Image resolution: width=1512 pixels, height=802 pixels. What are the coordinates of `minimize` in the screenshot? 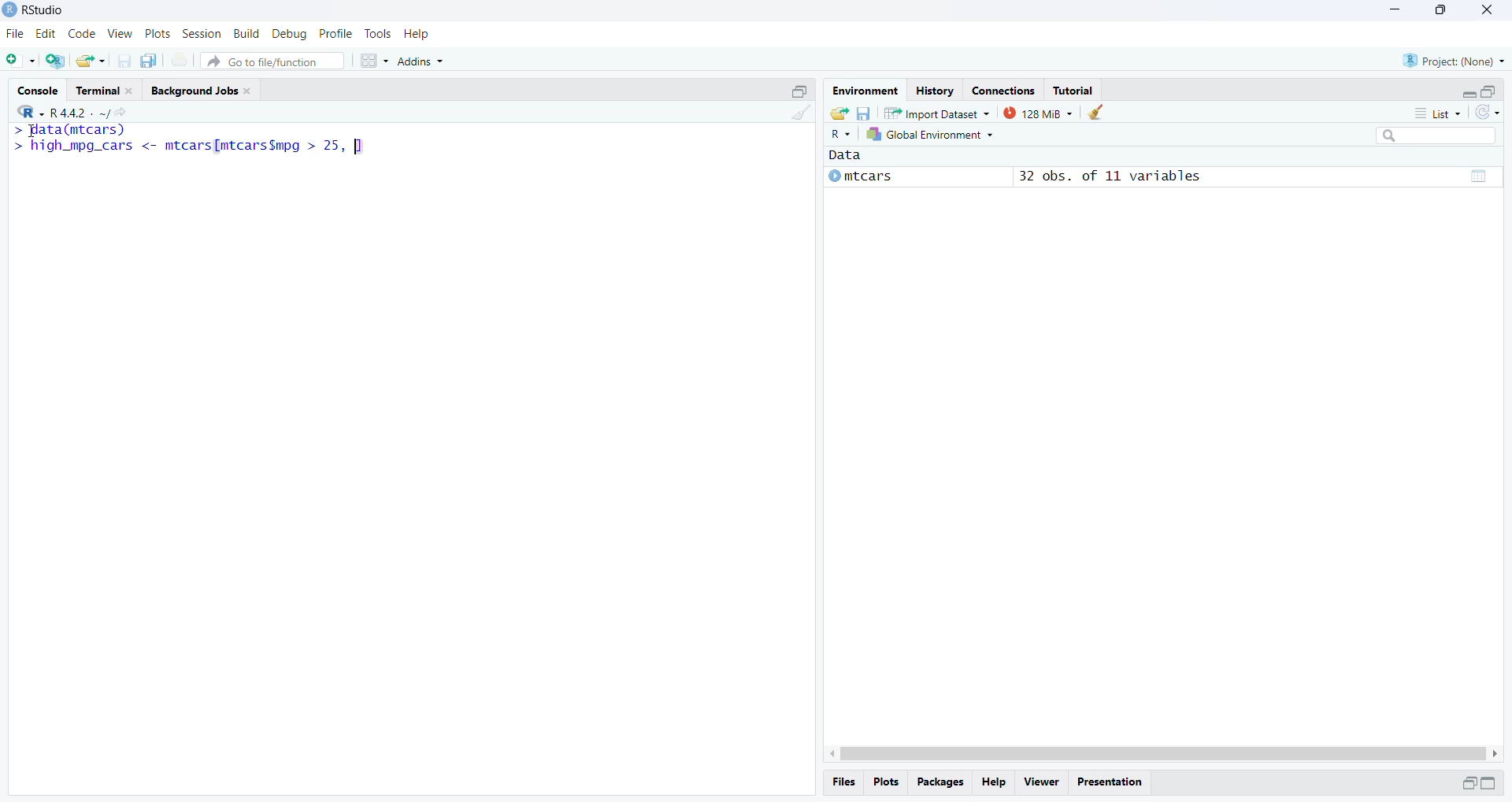 It's located at (1488, 783).